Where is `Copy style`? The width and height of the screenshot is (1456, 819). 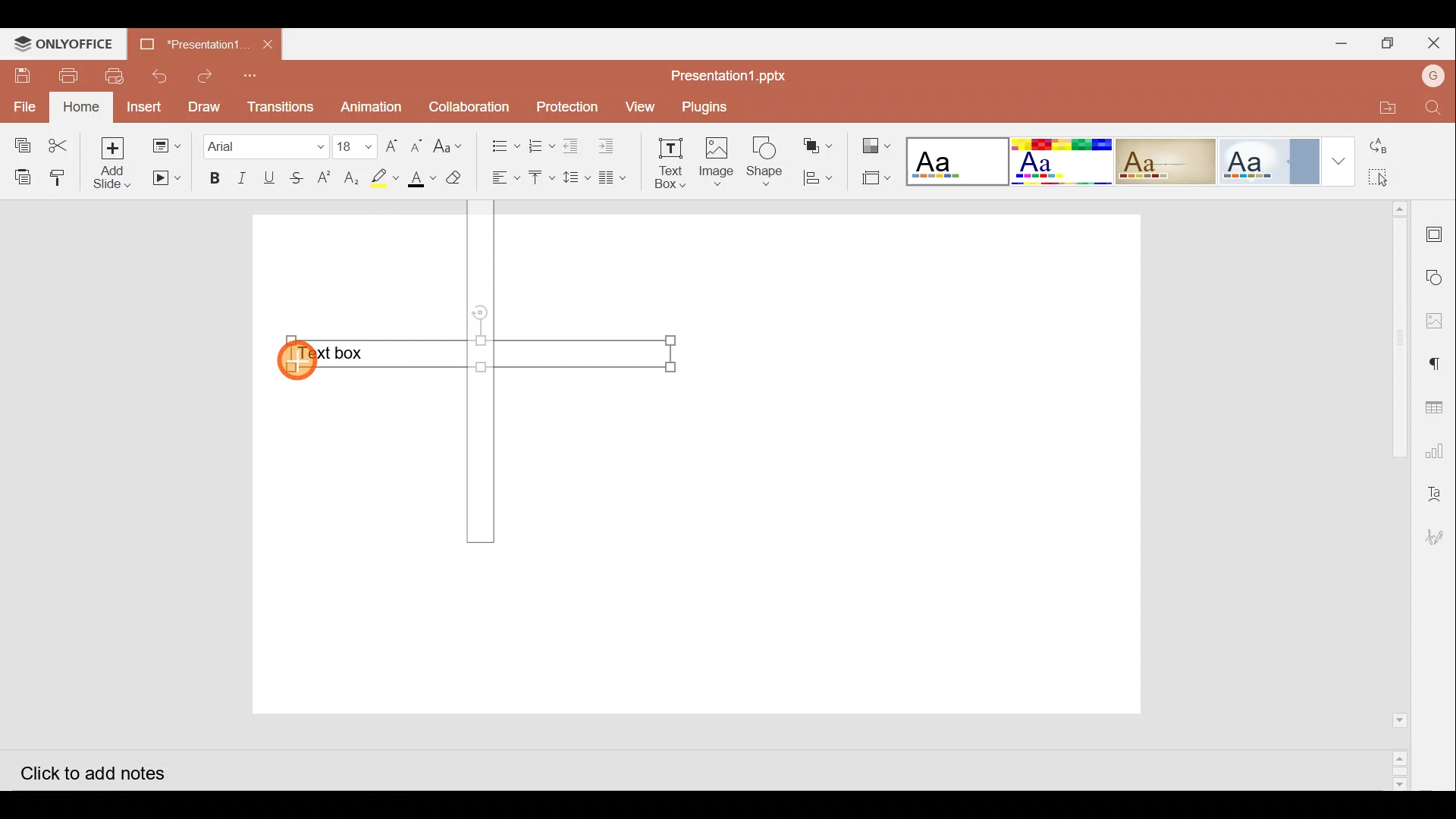
Copy style is located at coordinates (63, 174).